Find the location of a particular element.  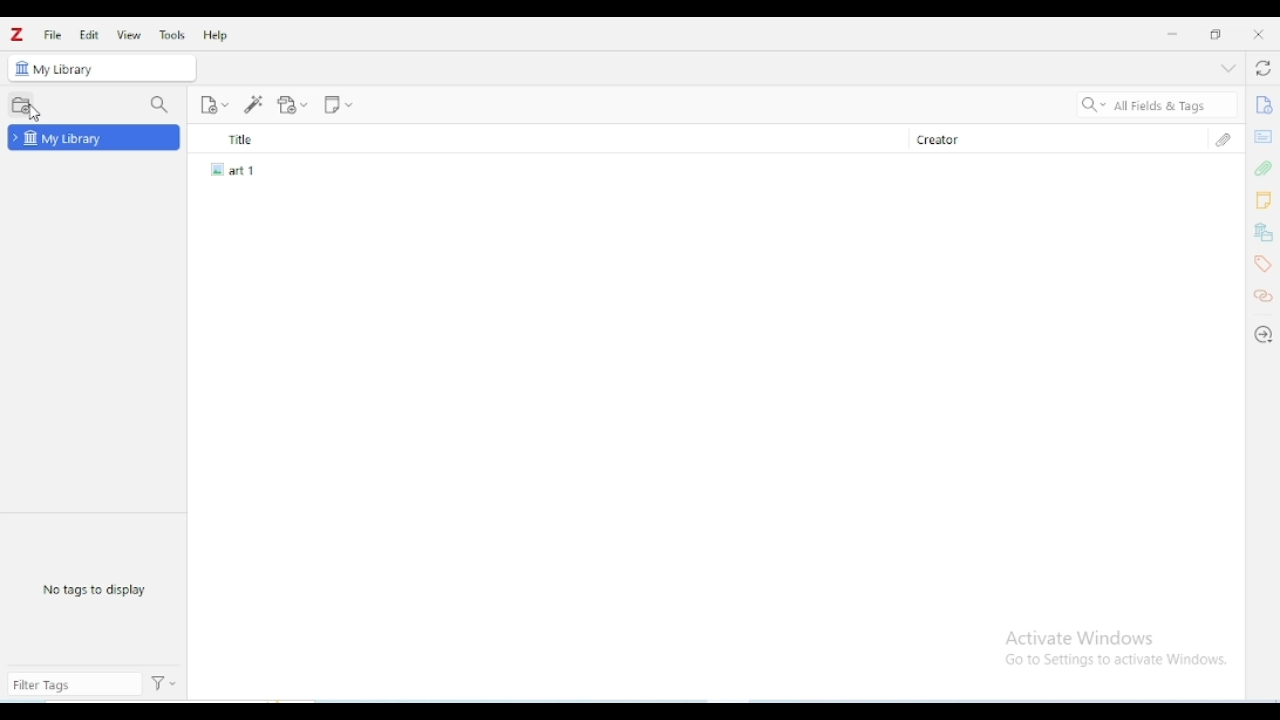

edit is located at coordinates (89, 35).